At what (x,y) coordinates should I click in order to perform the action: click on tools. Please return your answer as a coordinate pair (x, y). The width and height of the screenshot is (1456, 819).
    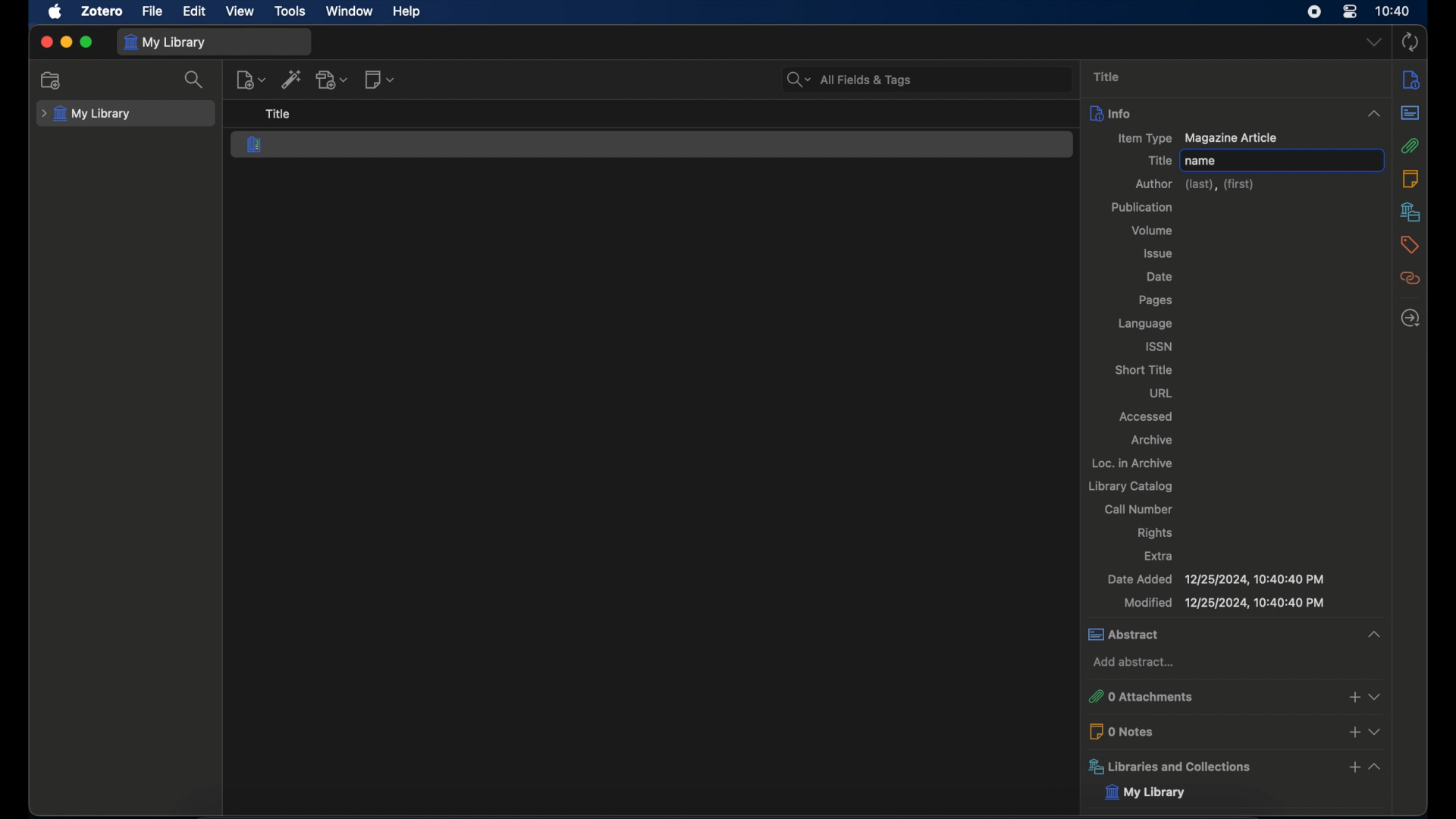
    Looking at the image, I should click on (290, 11).